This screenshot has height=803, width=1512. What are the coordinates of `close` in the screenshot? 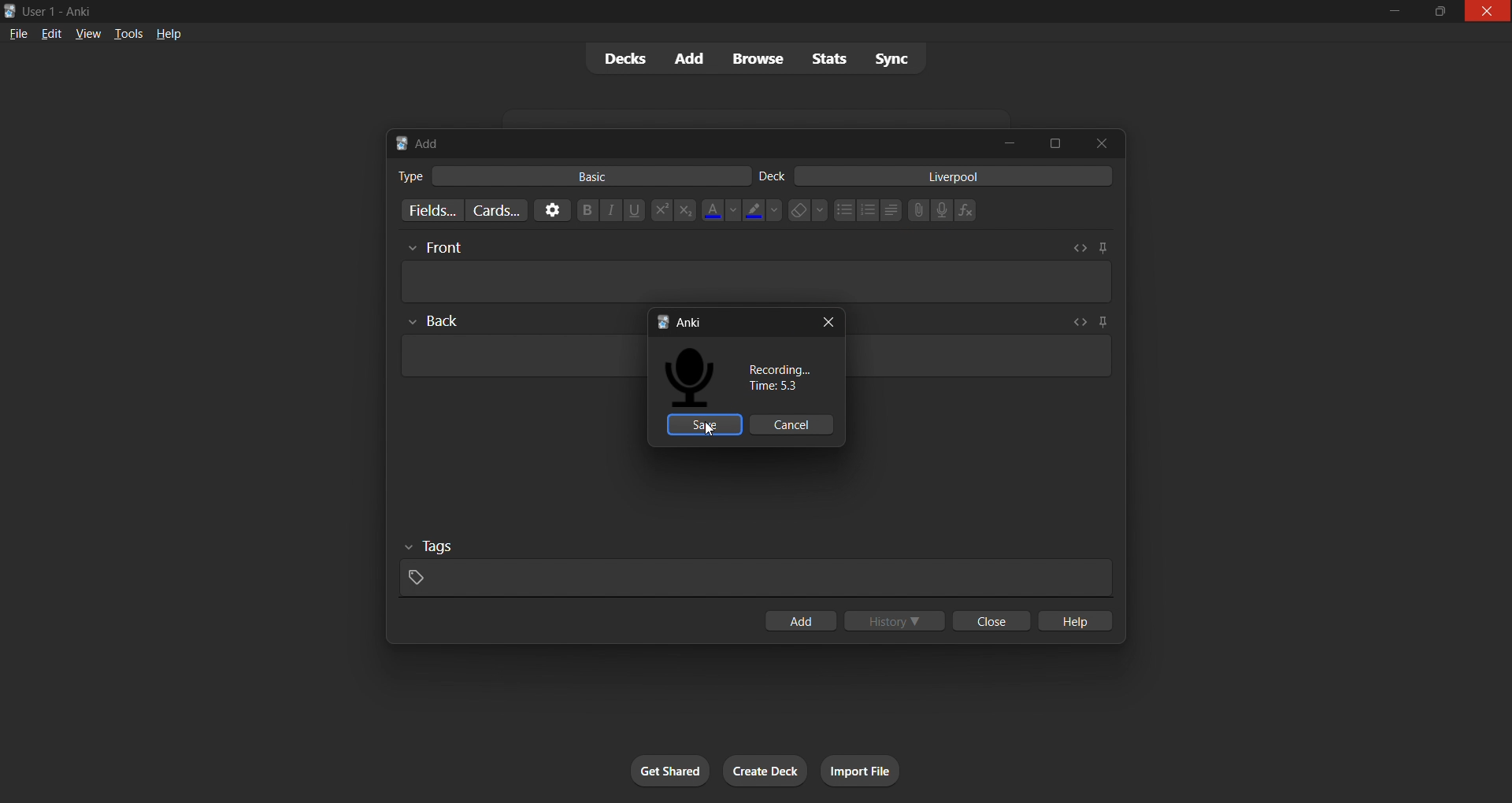 It's located at (1095, 144).